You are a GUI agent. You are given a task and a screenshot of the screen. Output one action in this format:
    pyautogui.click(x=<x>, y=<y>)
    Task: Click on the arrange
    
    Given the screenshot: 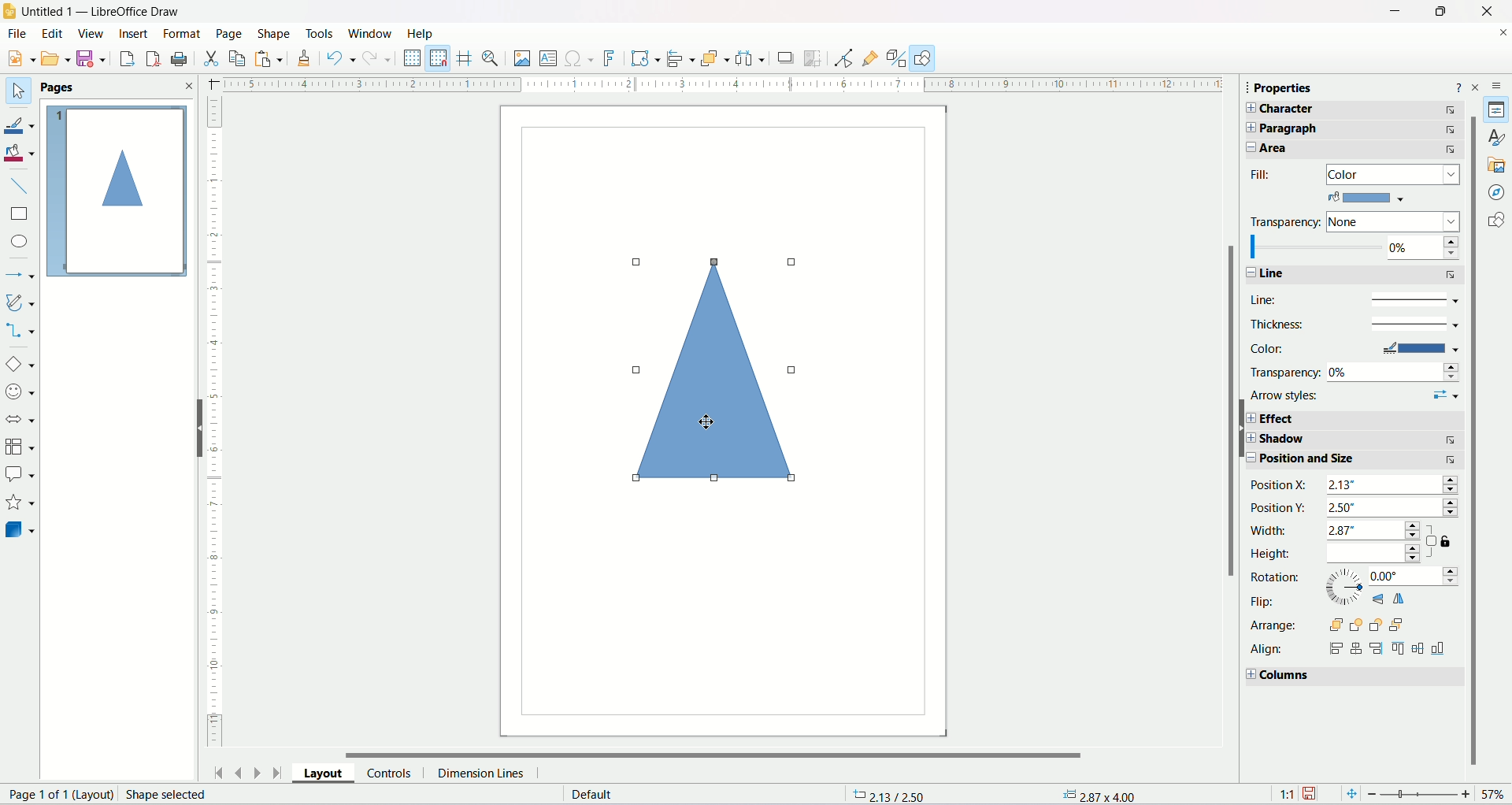 What is the action you would take?
    pyautogui.click(x=1331, y=627)
    